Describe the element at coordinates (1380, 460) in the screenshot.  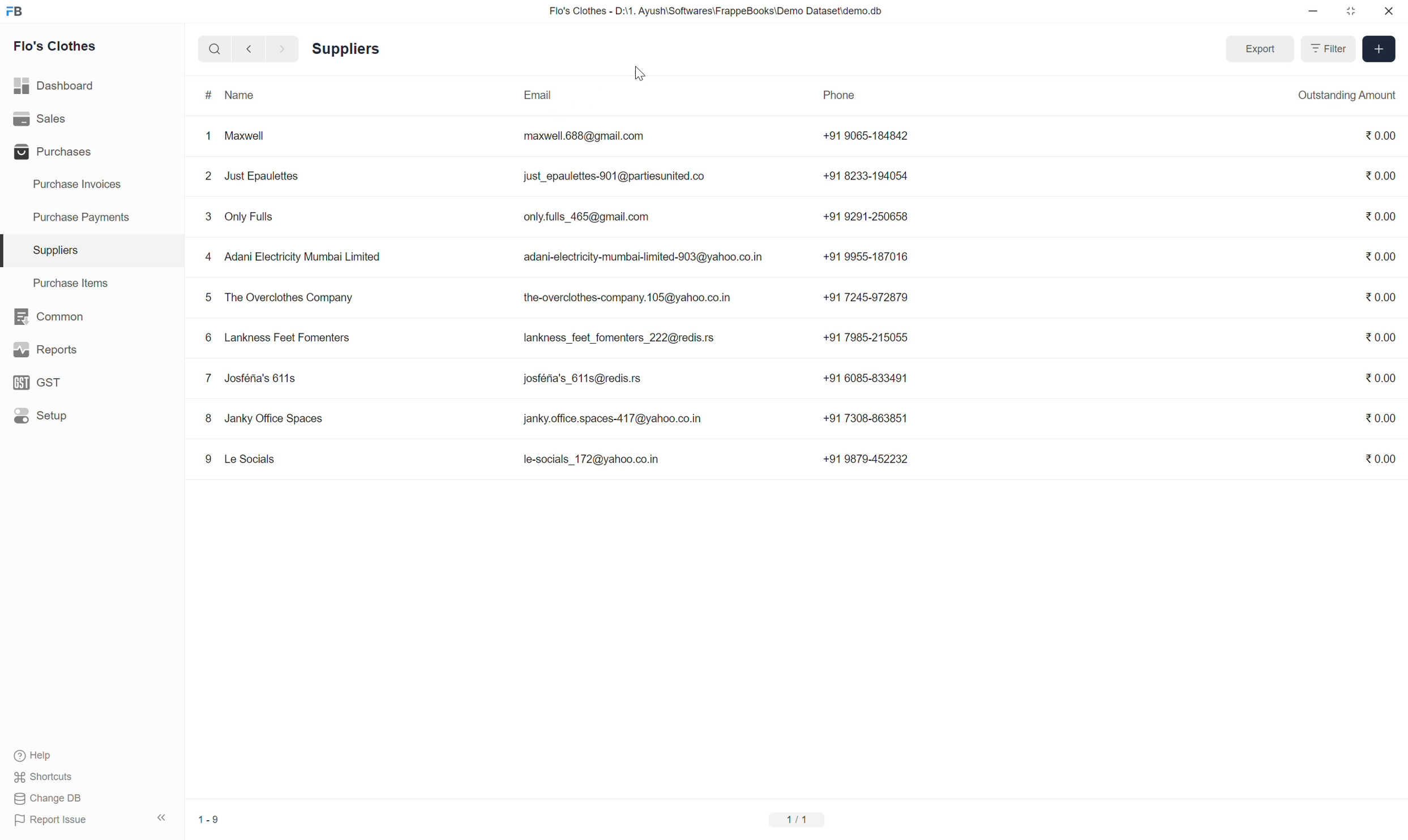
I see `0.00` at that location.